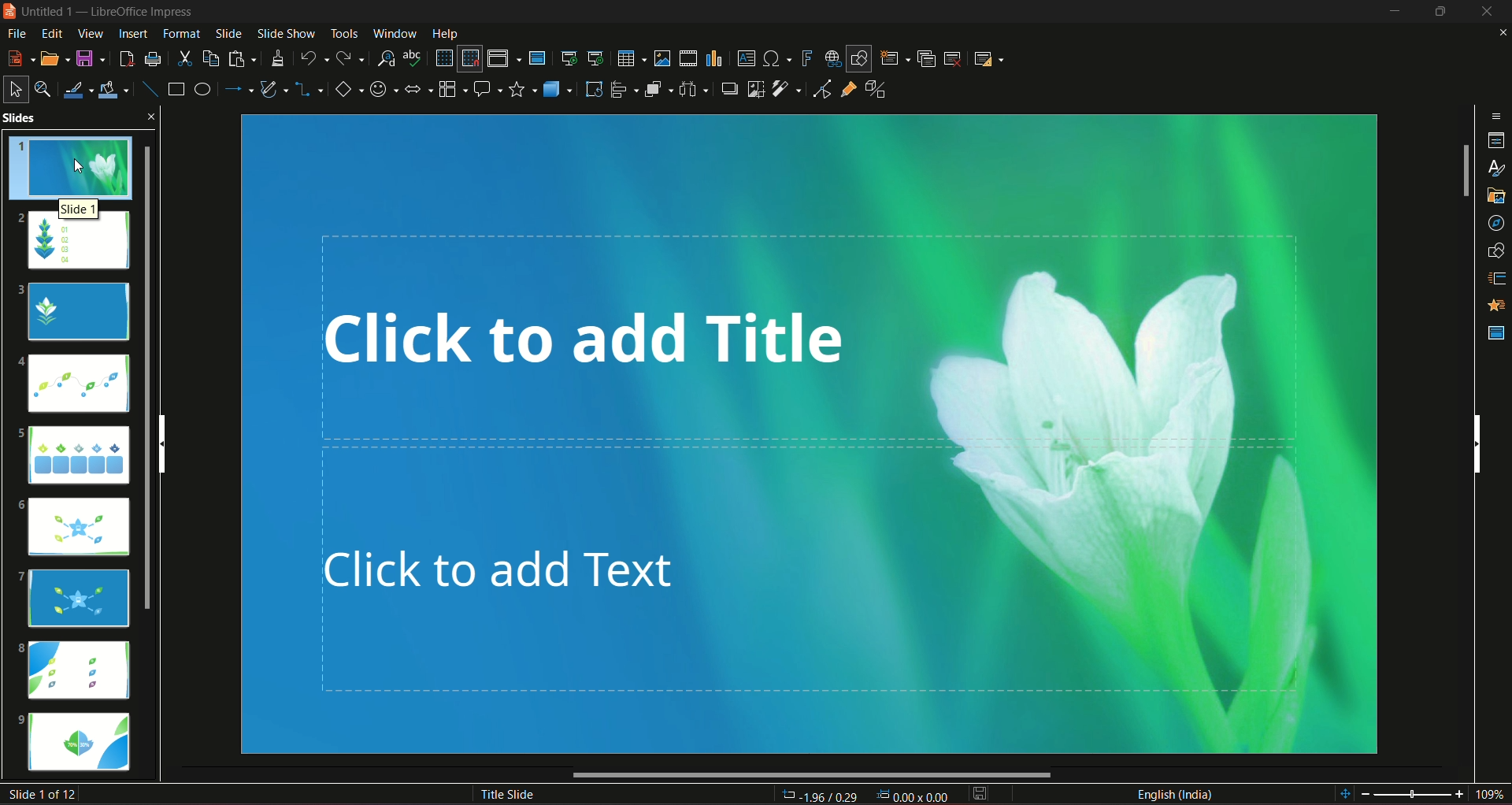  Describe the element at coordinates (557, 88) in the screenshot. I see `3D objects` at that location.